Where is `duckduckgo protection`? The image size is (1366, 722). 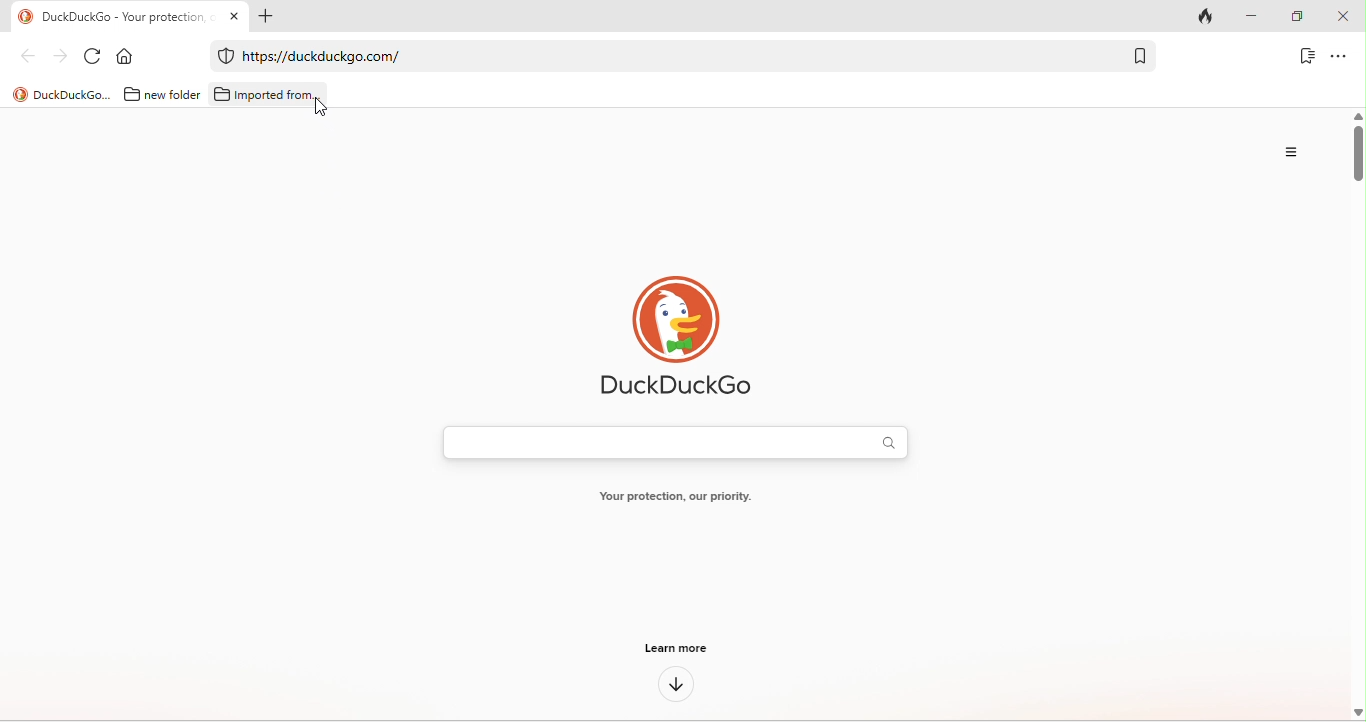
duckduckgo protection is located at coordinates (223, 56).